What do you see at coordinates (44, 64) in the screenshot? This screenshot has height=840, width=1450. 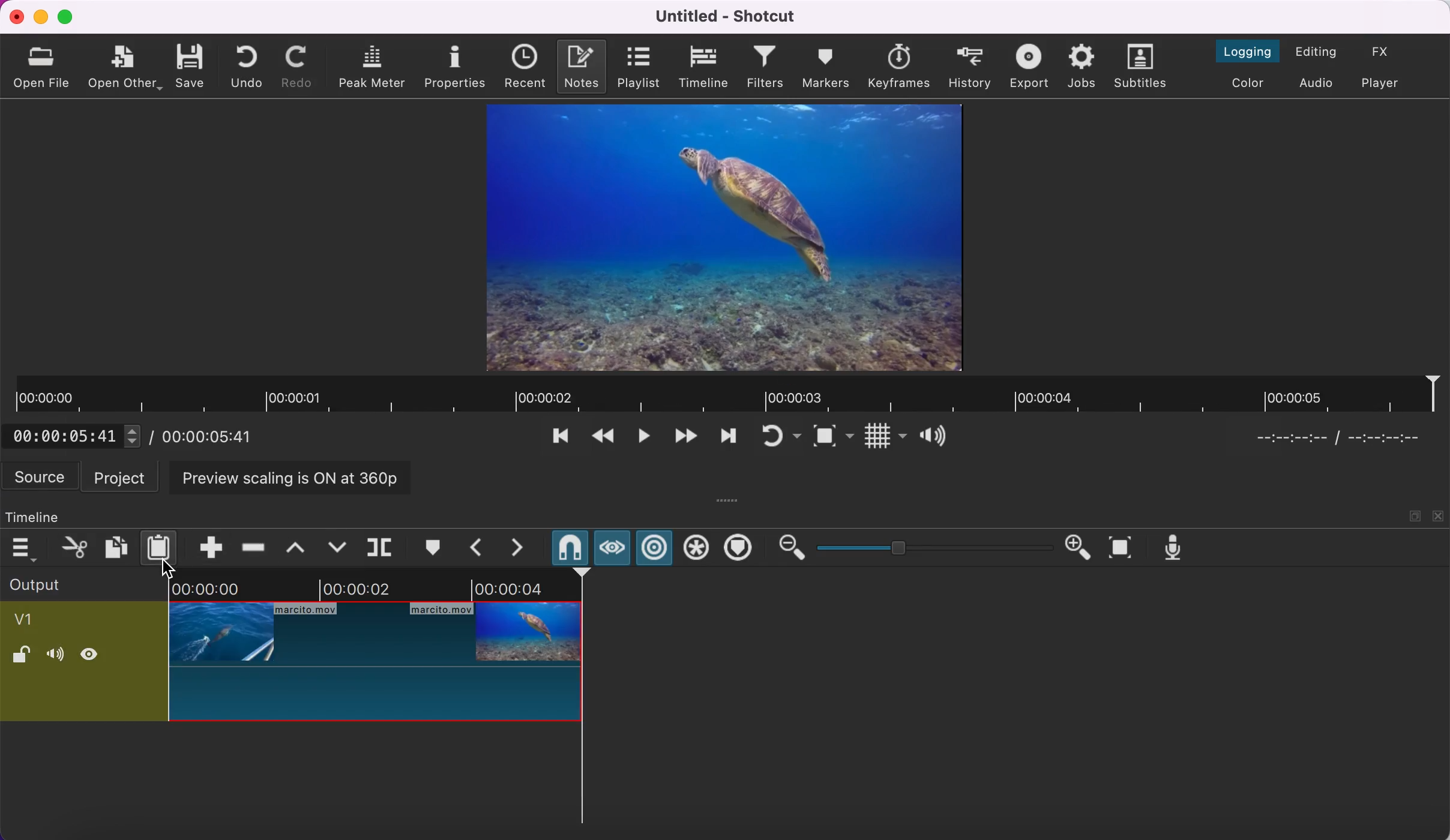 I see `open file` at bounding box center [44, 64].